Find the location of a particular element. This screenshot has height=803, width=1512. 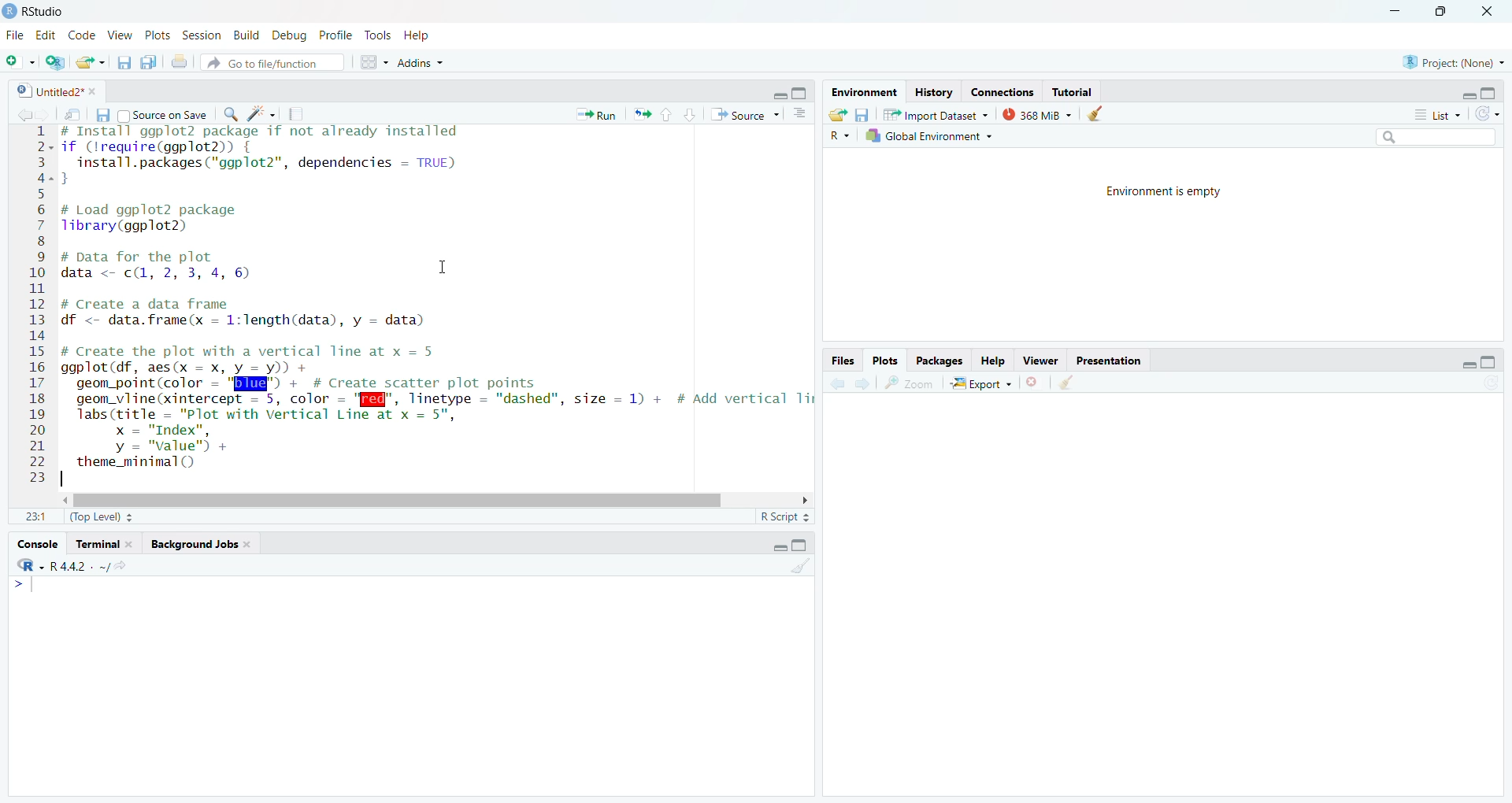

Tutorial is located at coordinates (1076, 91).